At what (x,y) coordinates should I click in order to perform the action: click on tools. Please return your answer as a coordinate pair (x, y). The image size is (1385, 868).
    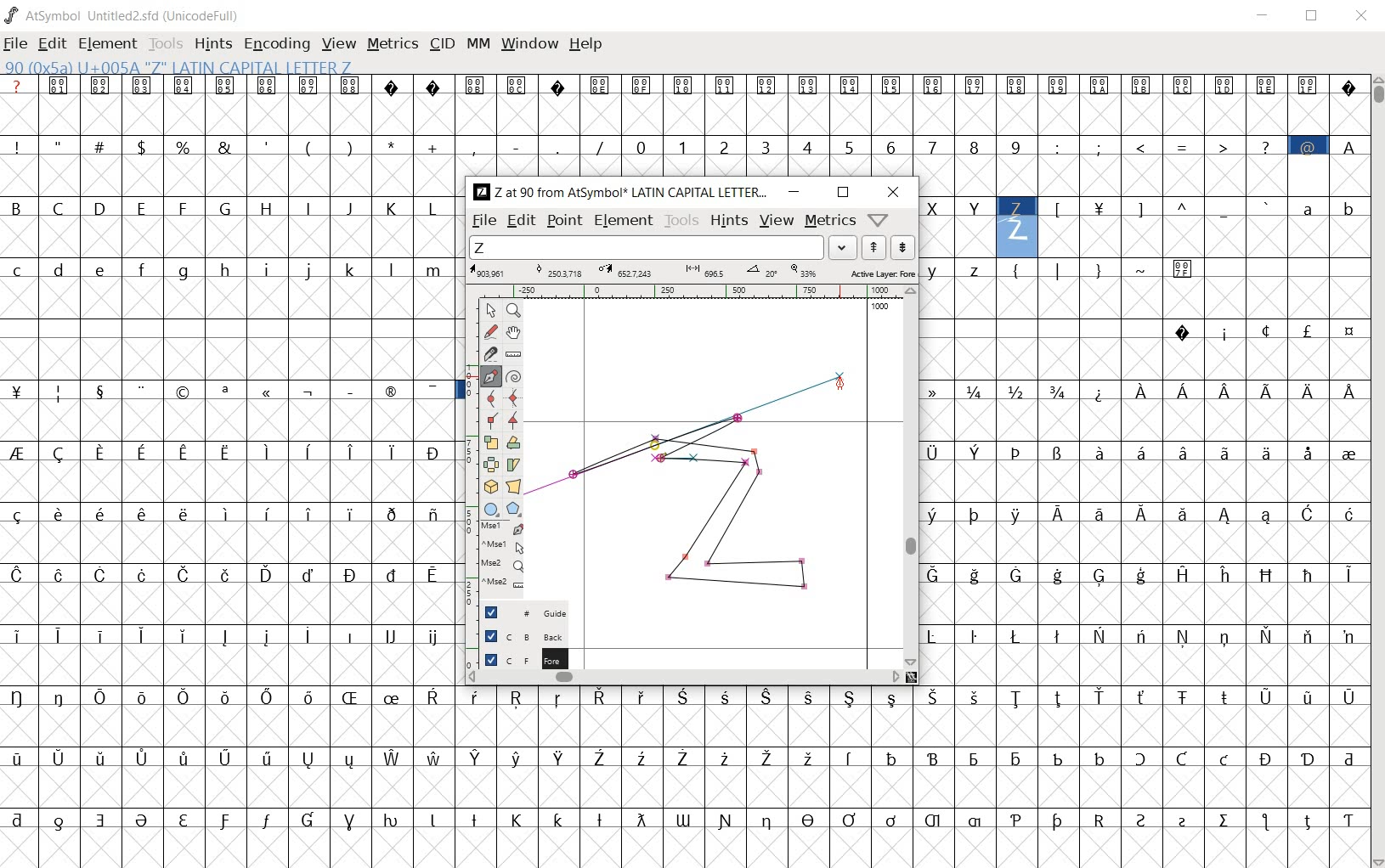
    Looking at the image, I should click on (167, 42).